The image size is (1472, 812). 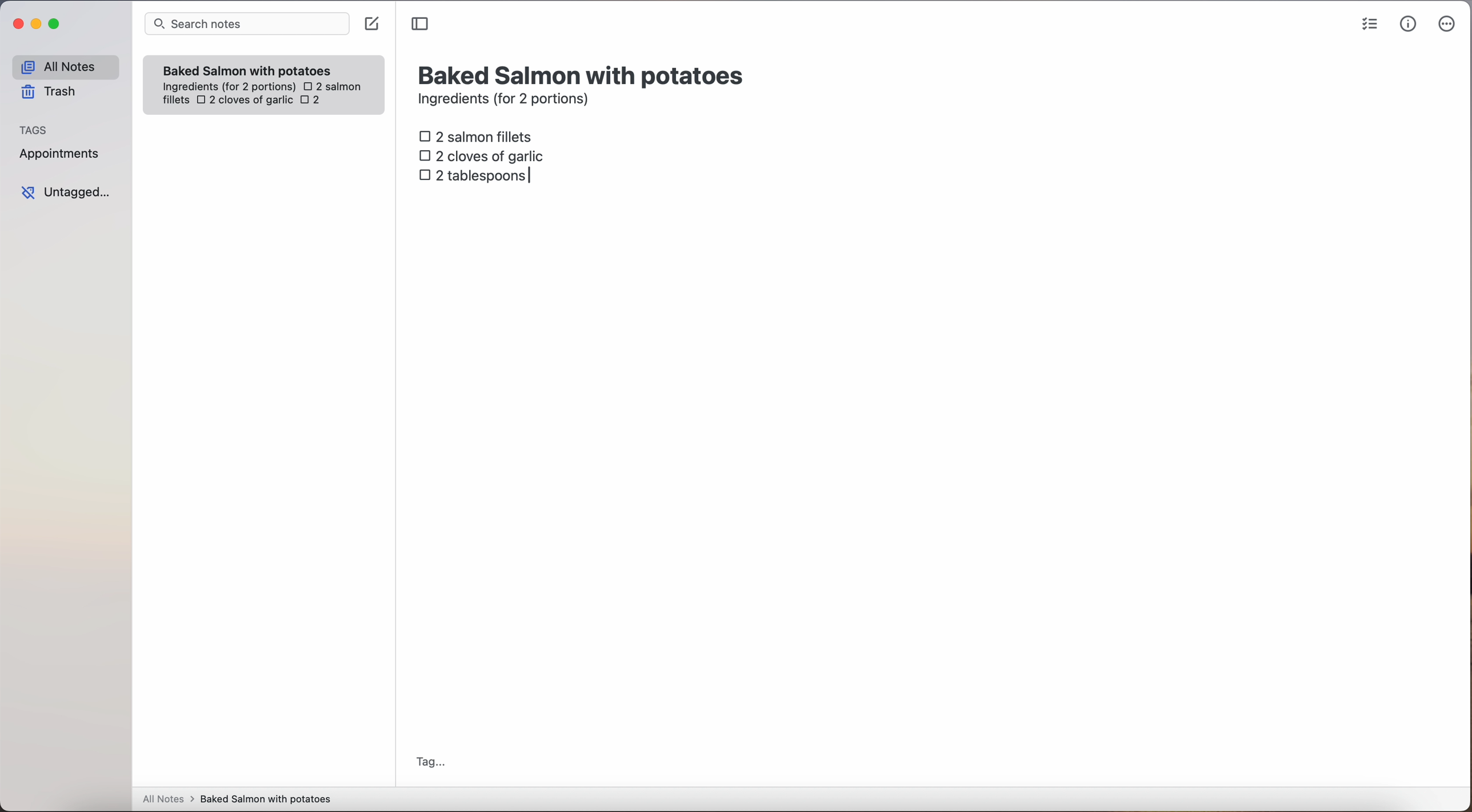 I want to click on fillets, so click(x=177, y=101).